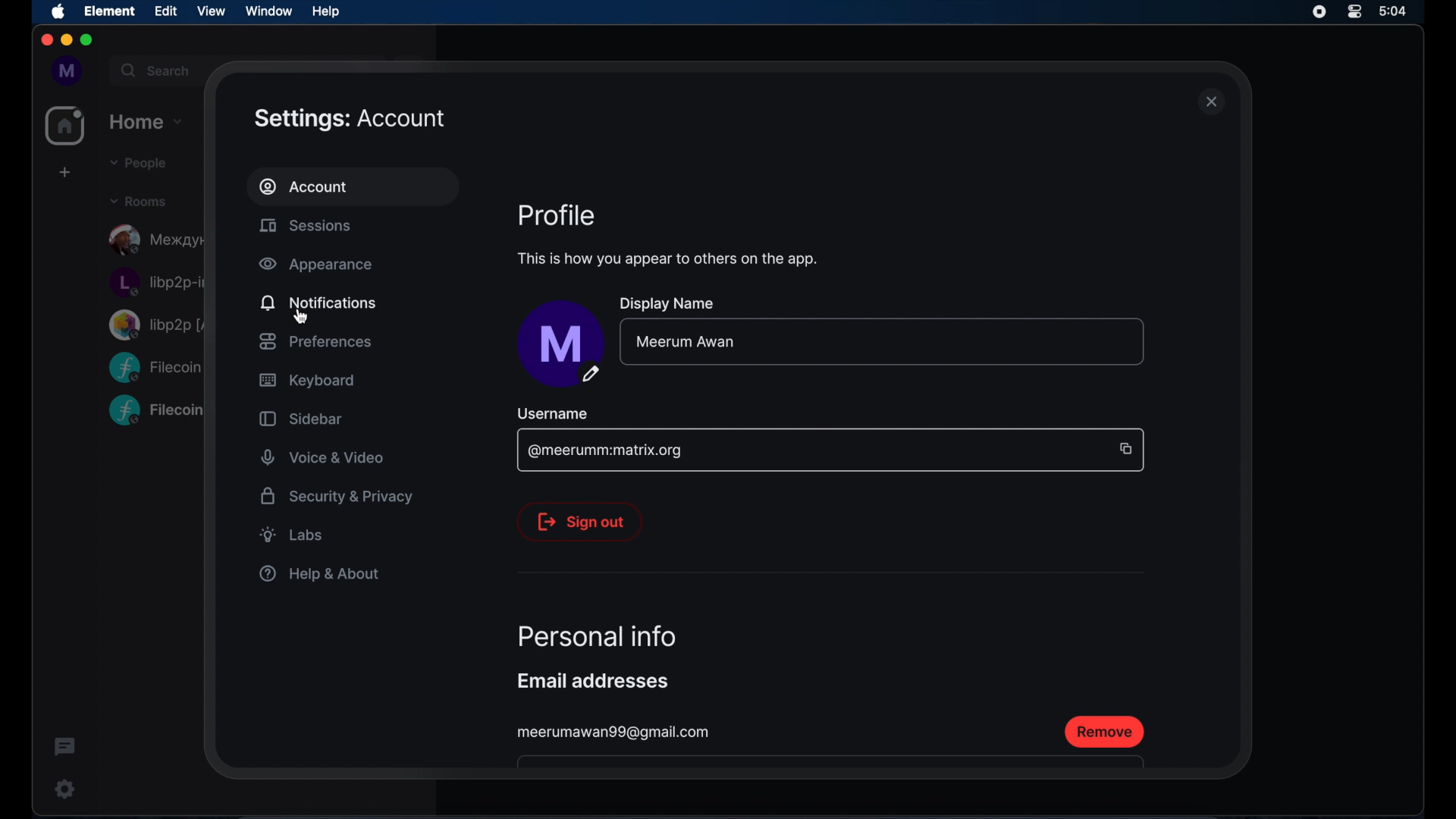 This screenshot has height=819, width=1456. I want to click on settings, so click(61, 789).